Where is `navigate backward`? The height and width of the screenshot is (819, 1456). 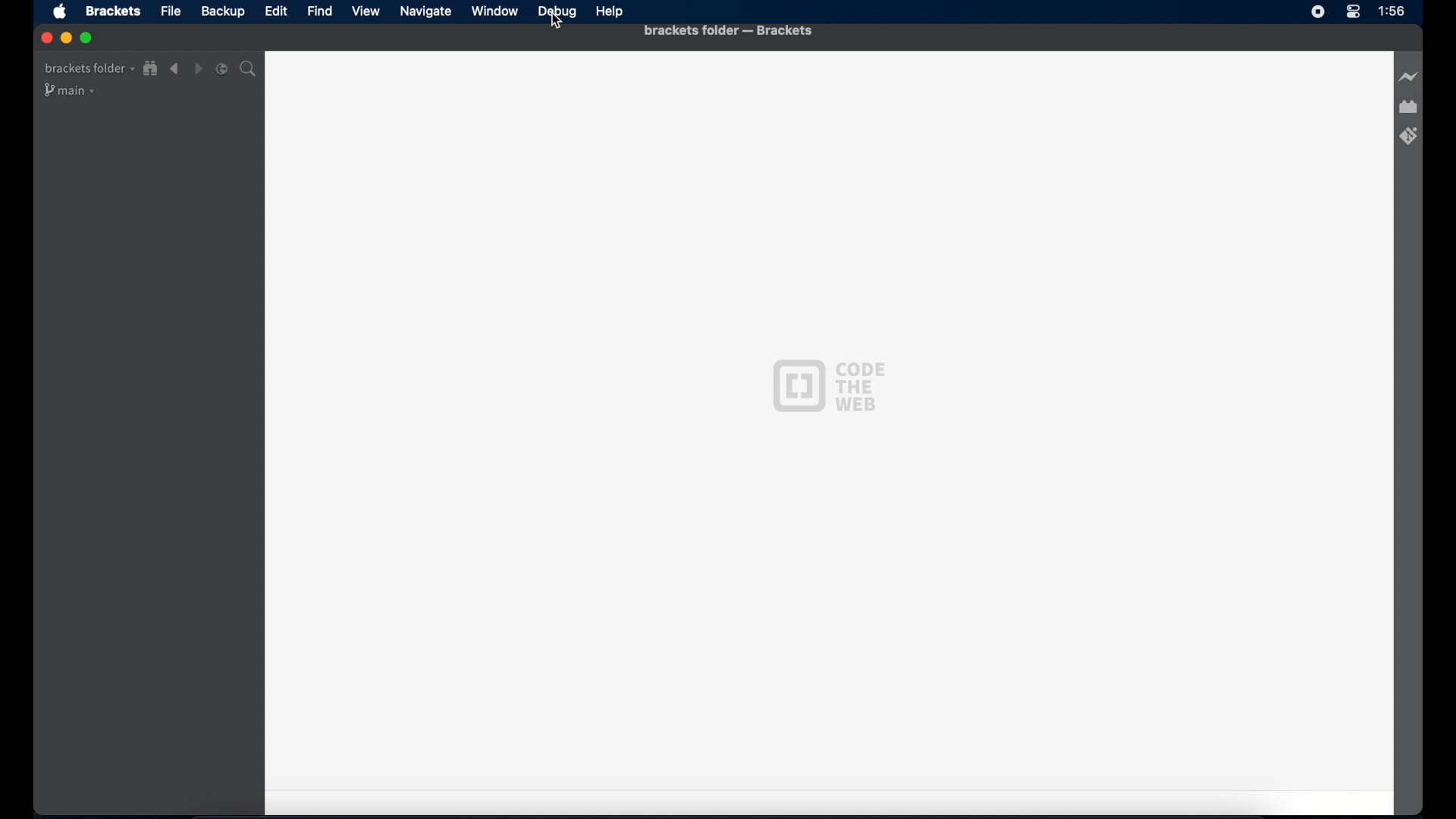
navigate backward is located at coordinates (174, 69).